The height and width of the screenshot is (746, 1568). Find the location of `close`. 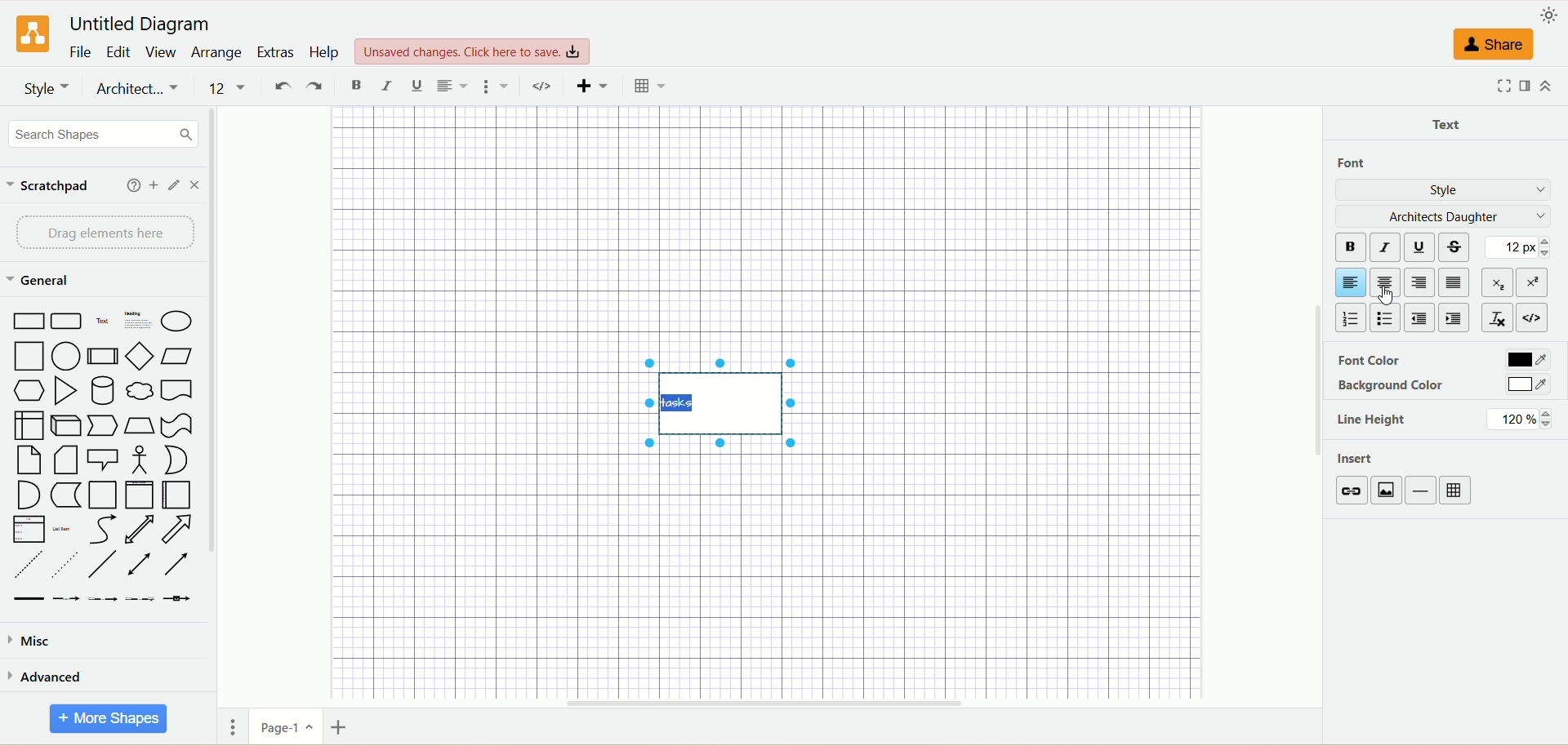

close is located at coordinates (195, 186).